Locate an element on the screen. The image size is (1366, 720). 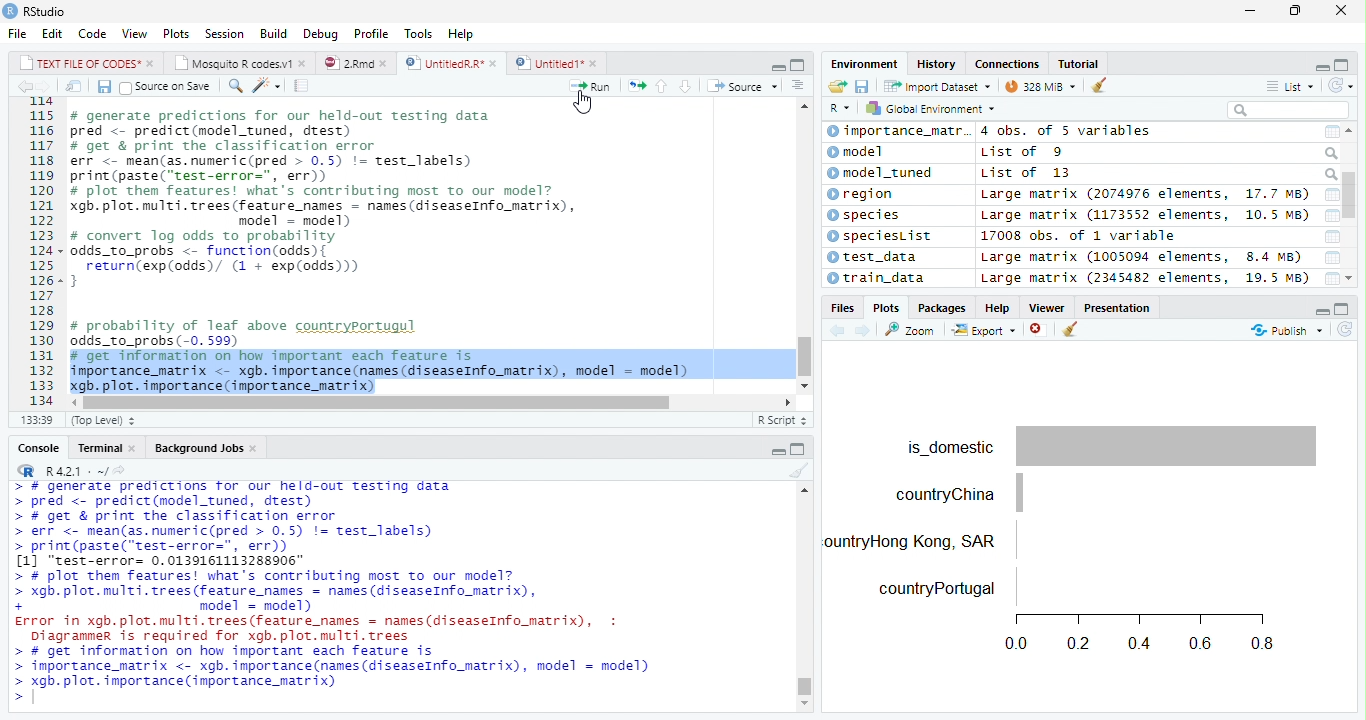
Viewer is located at coordinates (1049, 307).